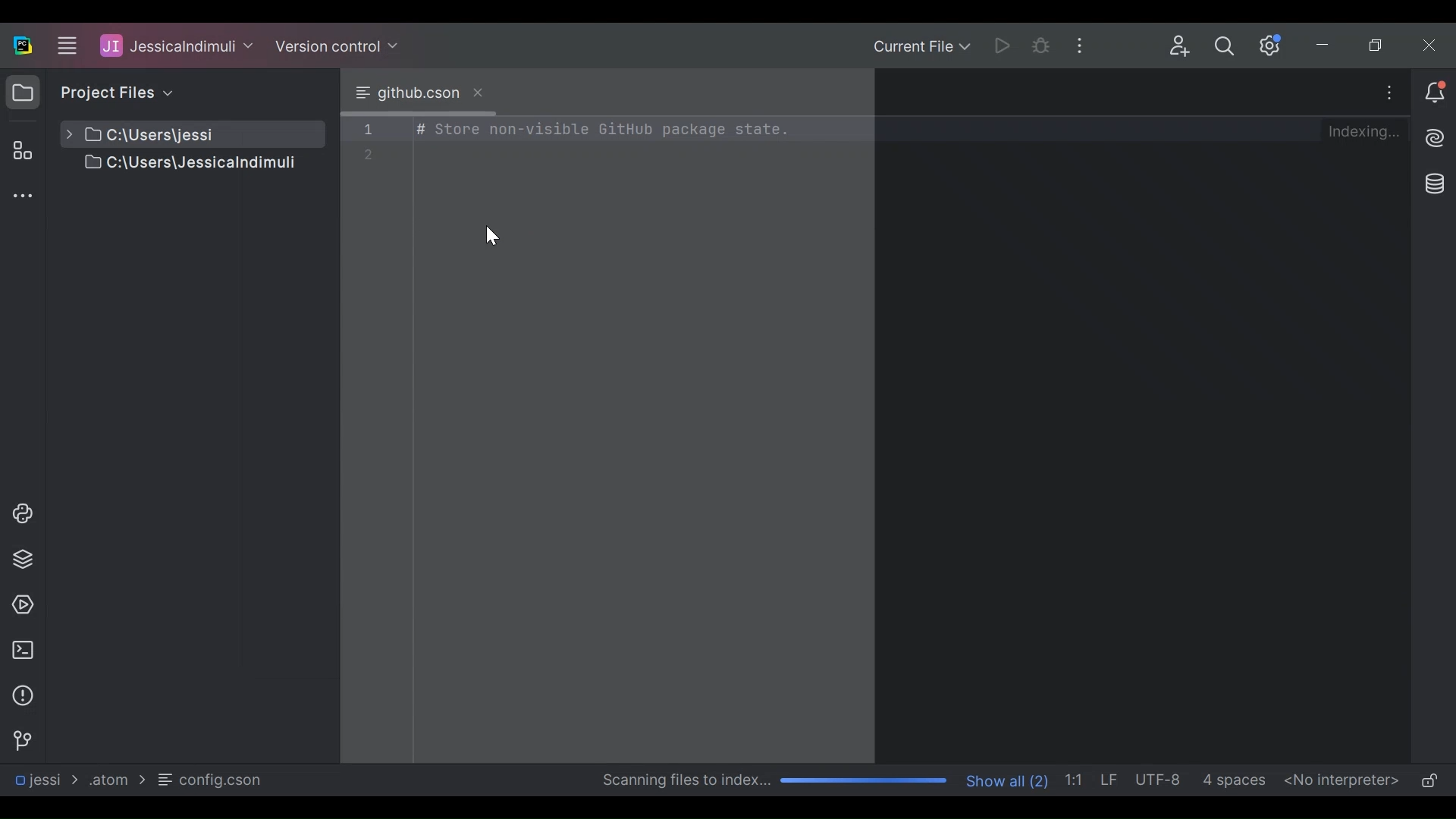  What do you see at coordinates (1229, 45) in the screenshot?
I see `Search` at bounding box center [1229, 45].